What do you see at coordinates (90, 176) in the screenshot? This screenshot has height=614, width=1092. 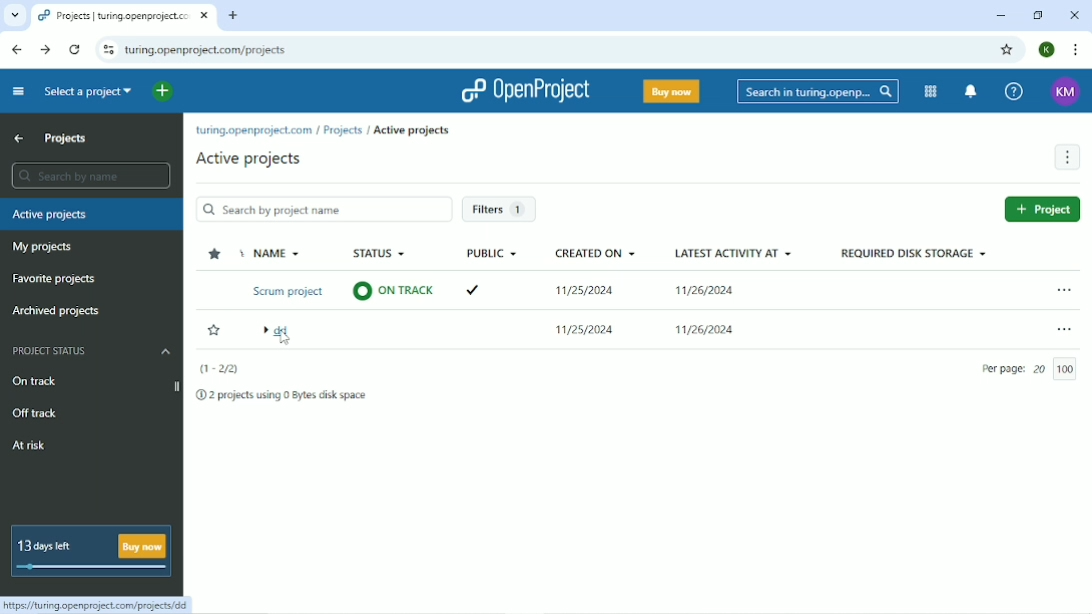 I see `Search by name` at bounding box center [90, 176].